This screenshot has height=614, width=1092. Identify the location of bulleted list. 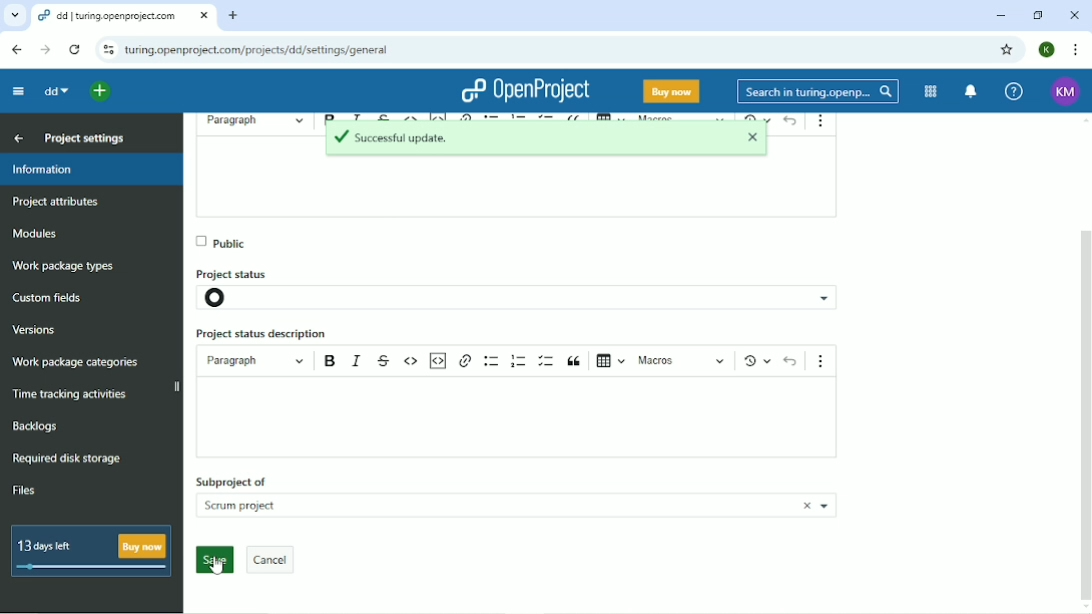
(491, 360).